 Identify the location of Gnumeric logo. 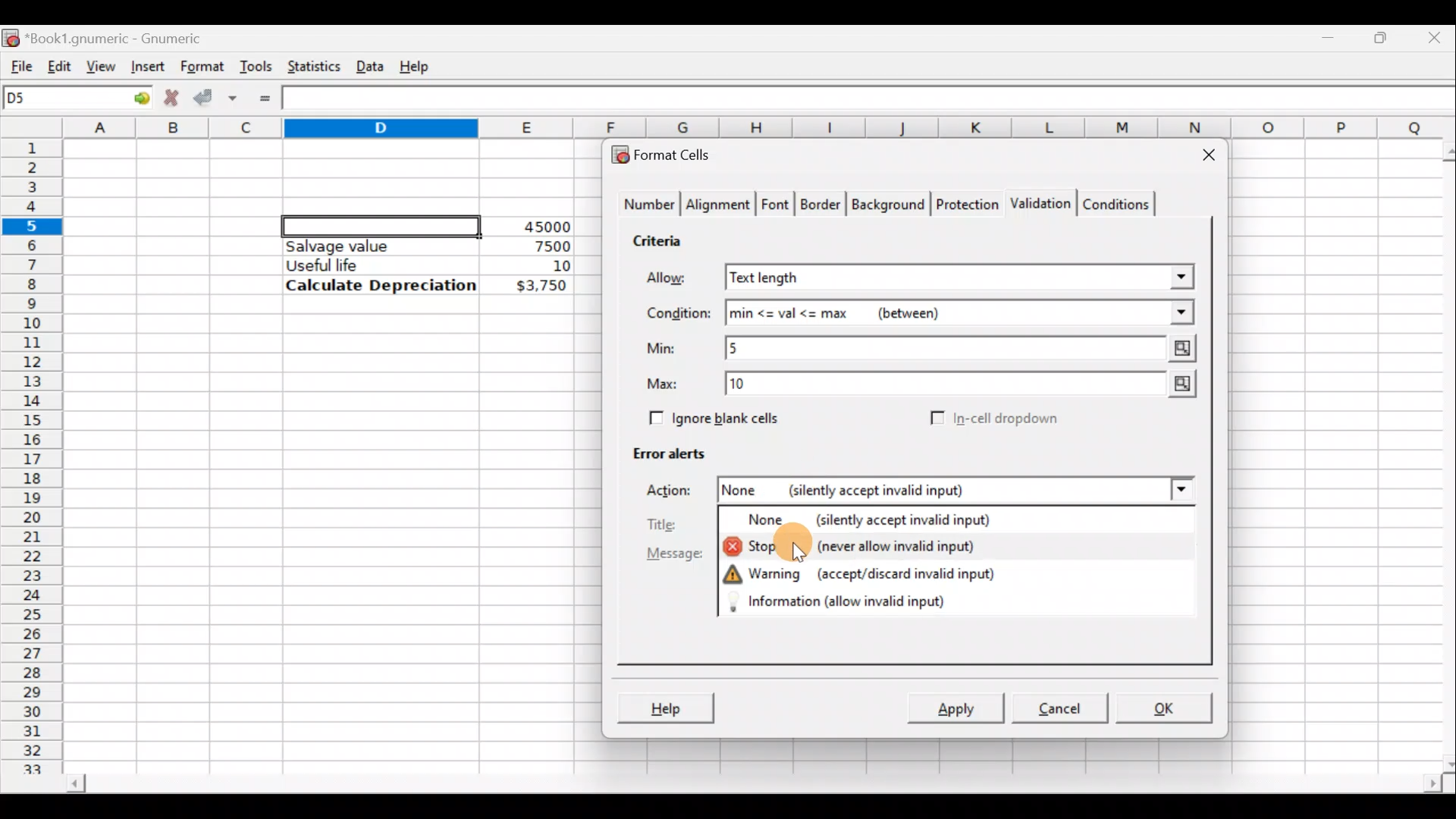
(11, 36).